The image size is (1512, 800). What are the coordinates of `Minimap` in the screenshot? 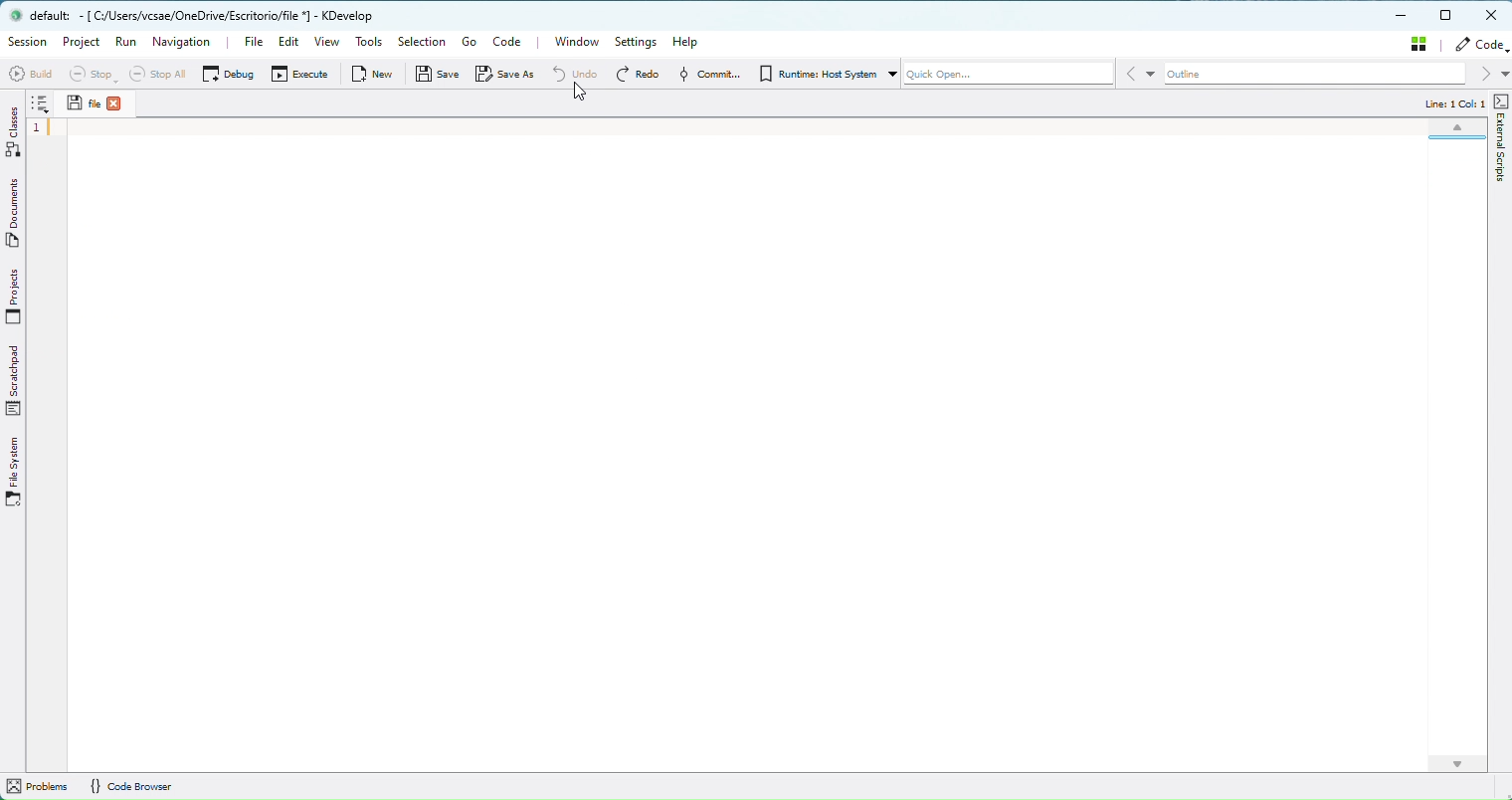 It's located at (1455, 145).